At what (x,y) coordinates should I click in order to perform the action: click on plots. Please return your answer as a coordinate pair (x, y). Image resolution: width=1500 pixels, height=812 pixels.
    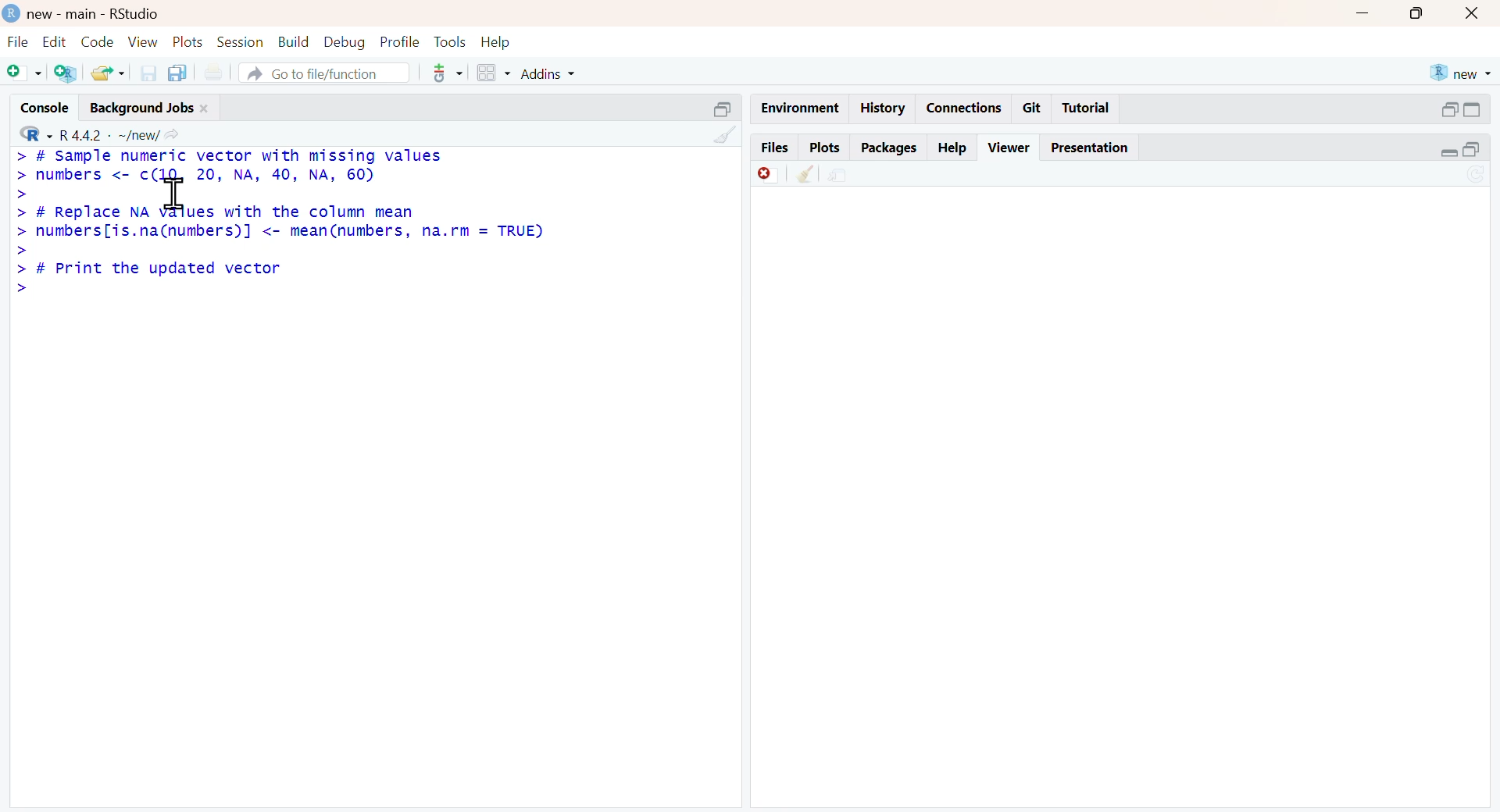
    Looking at the image, I should click on (827, 148).